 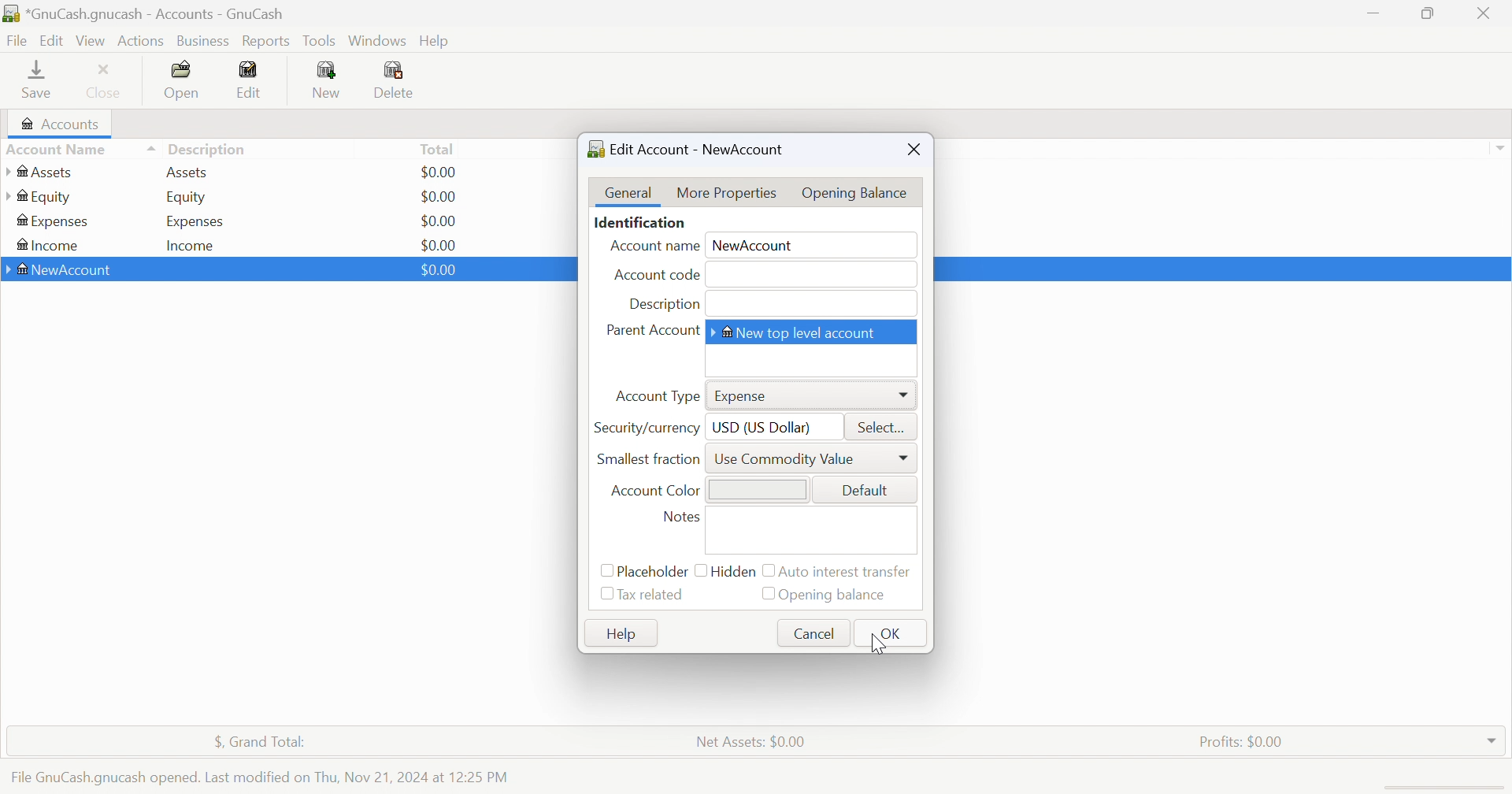 What do you see at coordinates (797, 332) in the screenshot?
I see `New top level account` at bounding box center [797, 332].